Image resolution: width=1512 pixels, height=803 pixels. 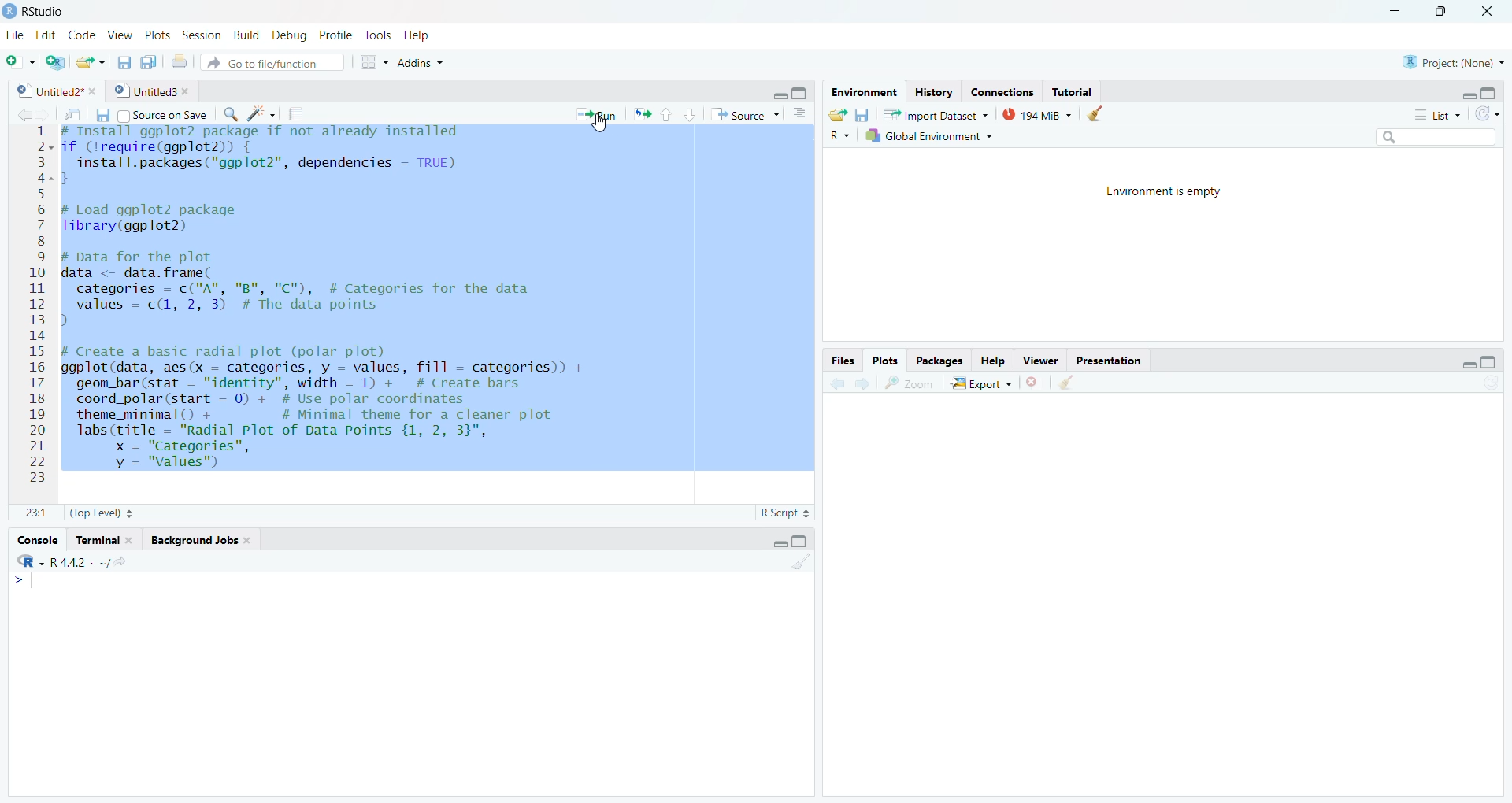 What do you see at coordinates (838, 113) in the screenshot?
I see `Load workspace` at bounding box center [838, 113].